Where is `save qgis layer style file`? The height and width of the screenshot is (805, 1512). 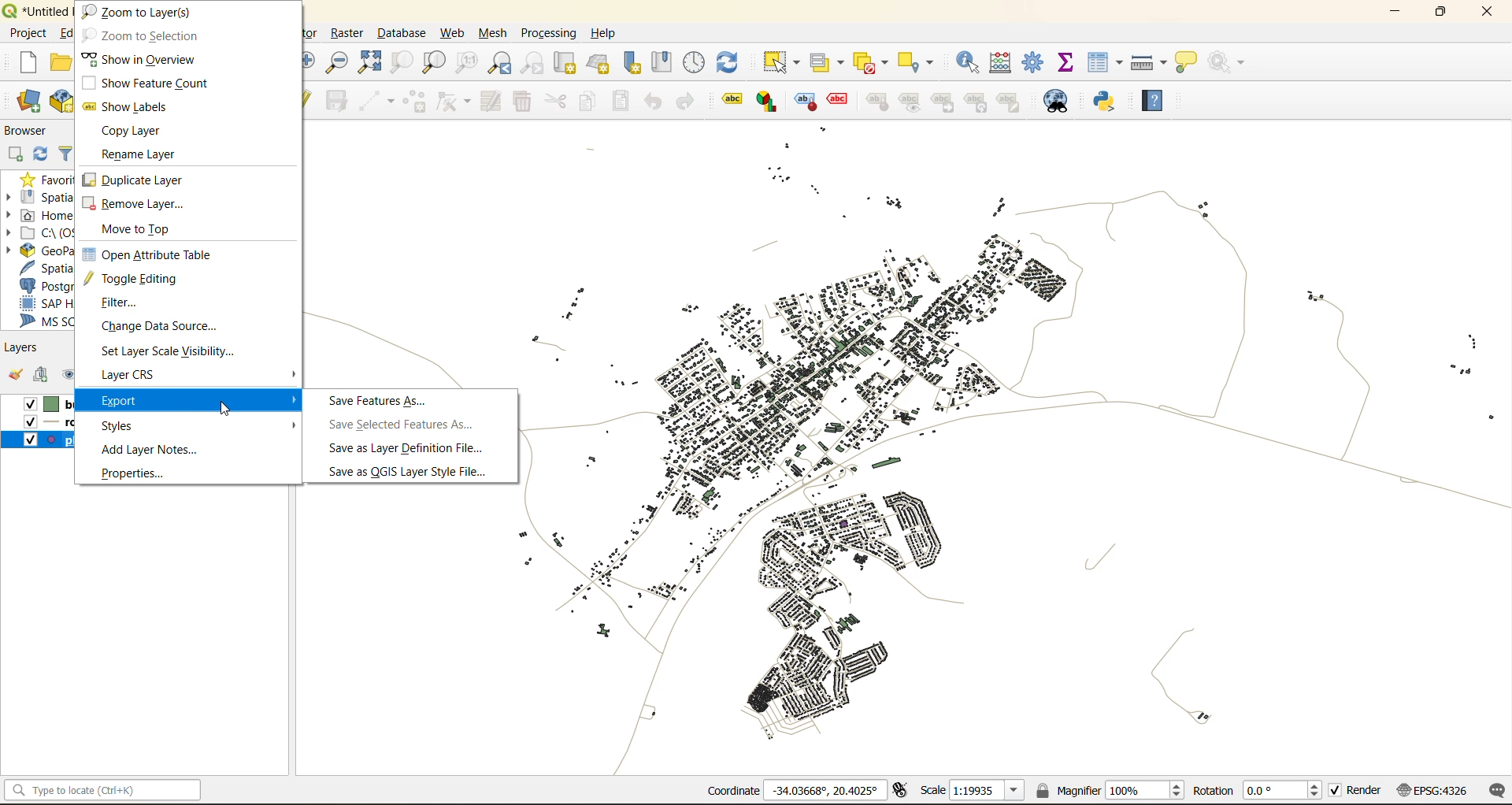 save qgis layer style file is located at coordinates (413, 471).